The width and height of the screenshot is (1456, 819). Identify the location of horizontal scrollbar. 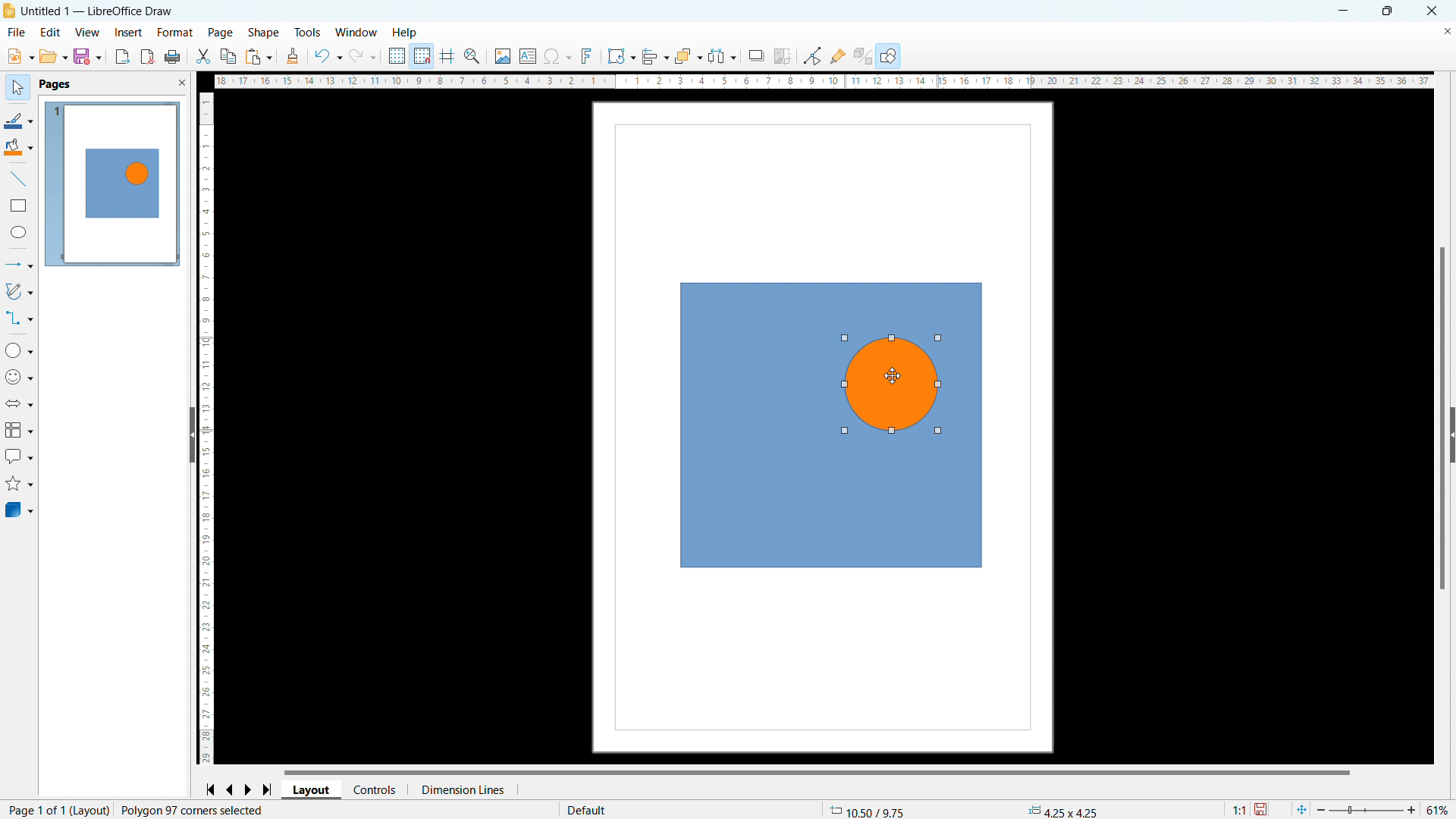
(817, 771).